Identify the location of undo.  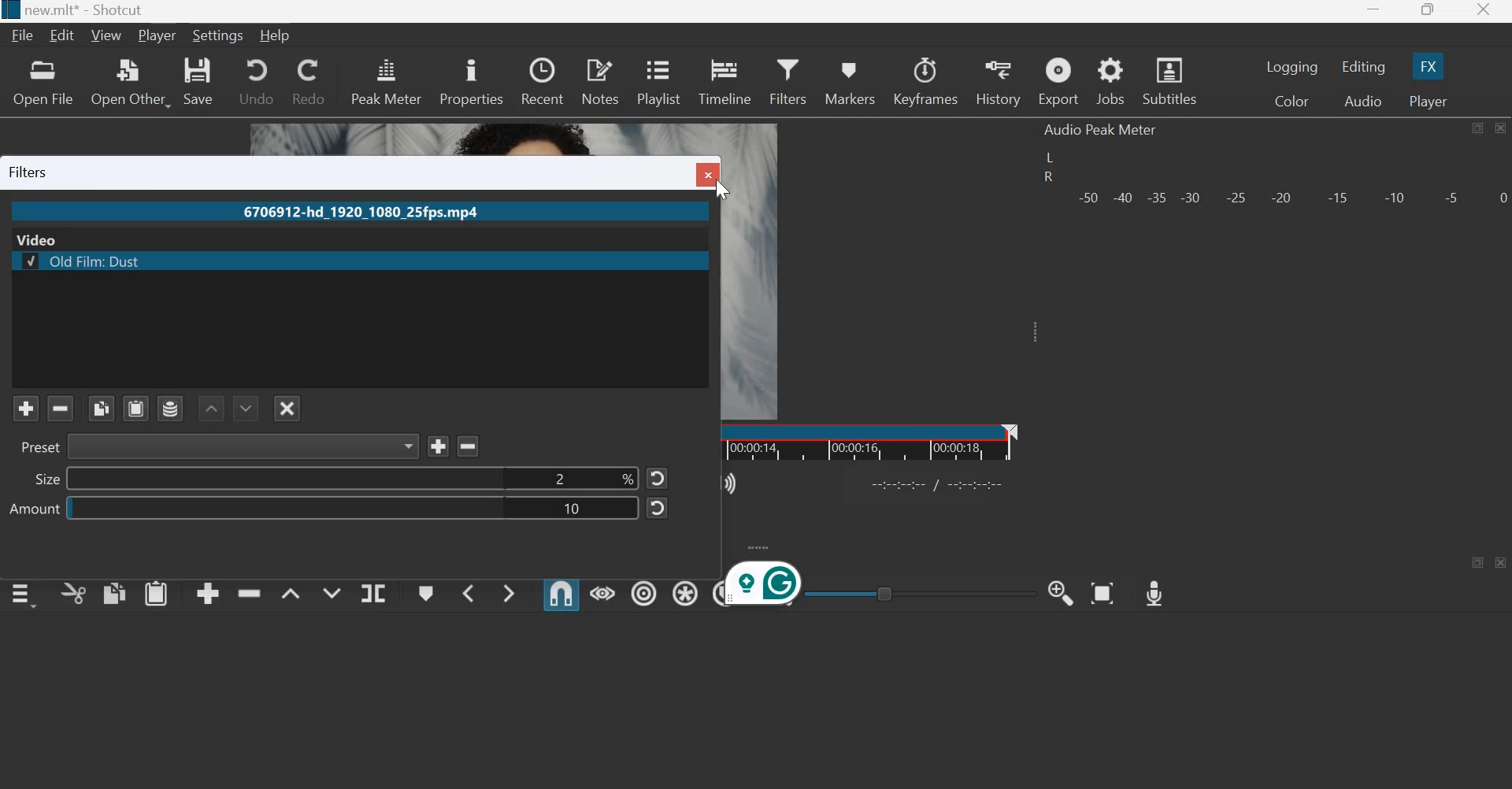
(256, 80).